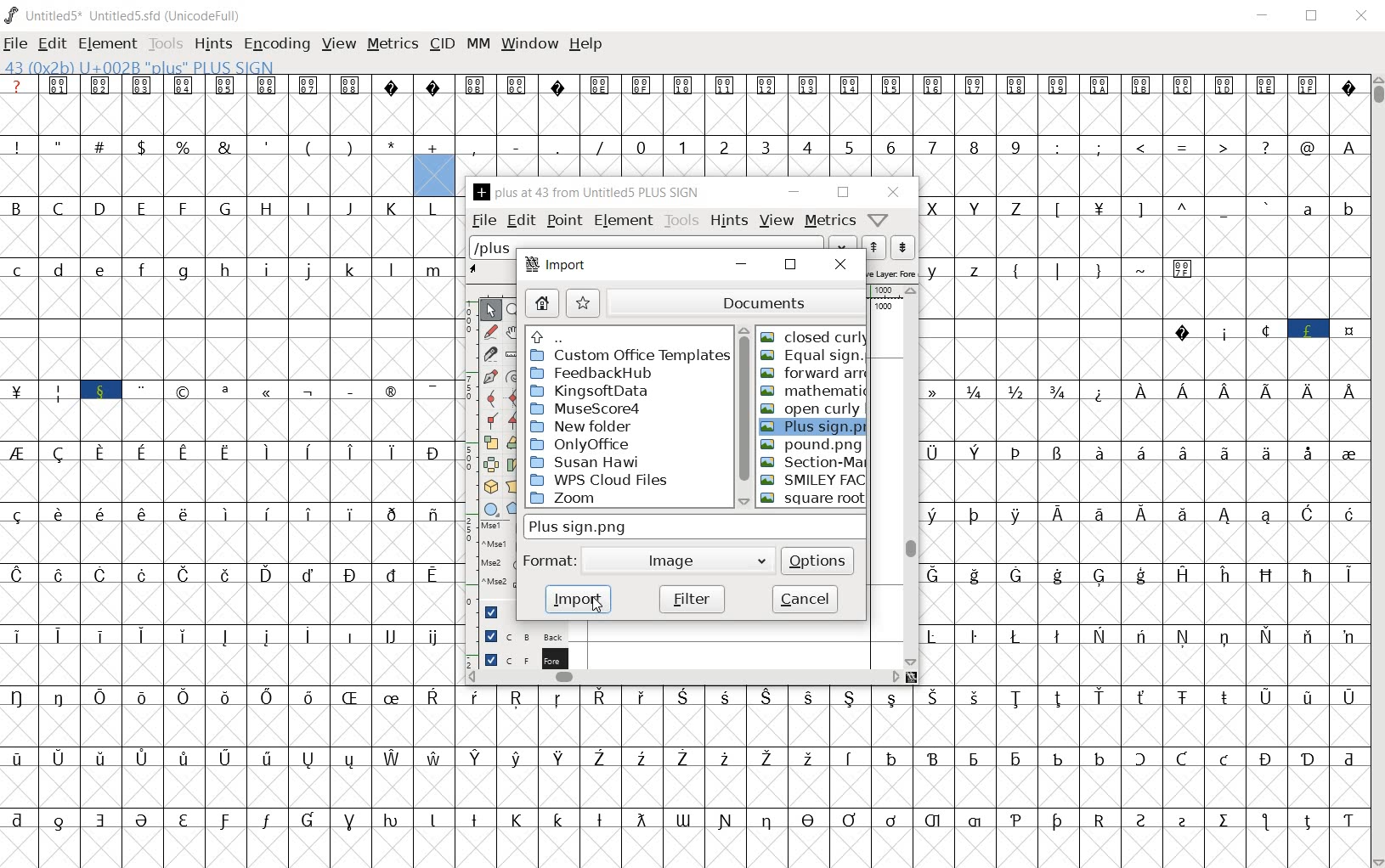 The width and height of the screenshot is (1385, 868). I want to click on MuseScore, so click(588, 409).